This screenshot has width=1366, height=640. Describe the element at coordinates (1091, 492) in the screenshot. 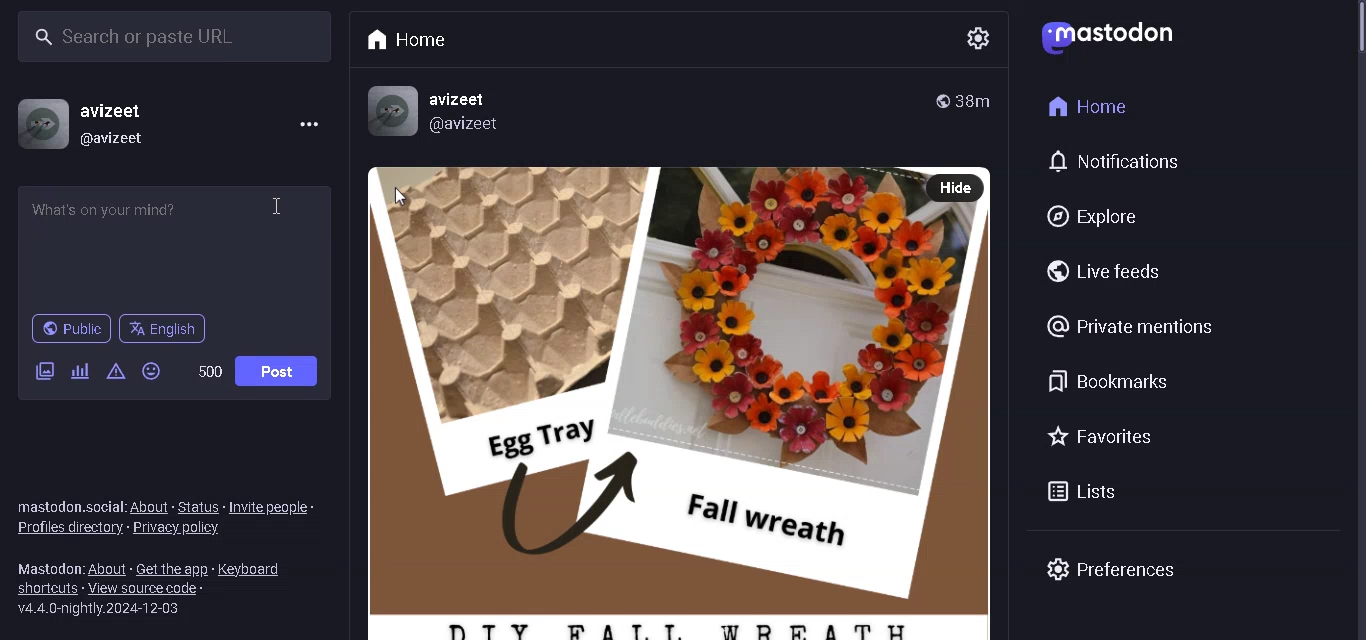

I see `lists` at that location.